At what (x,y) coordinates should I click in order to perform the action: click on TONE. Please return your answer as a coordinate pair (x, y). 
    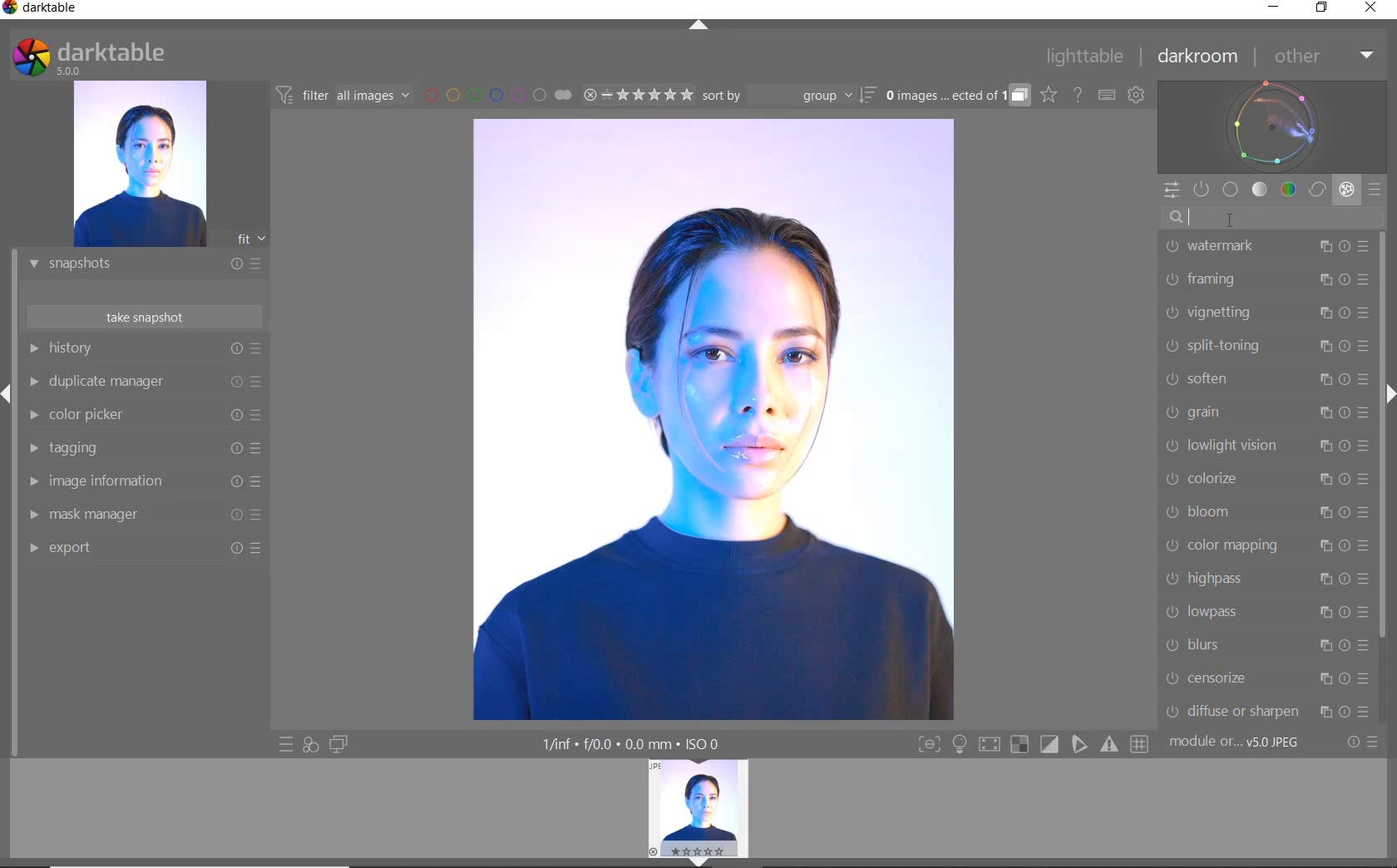
    Looking at the image, I should click on (1261, 190).